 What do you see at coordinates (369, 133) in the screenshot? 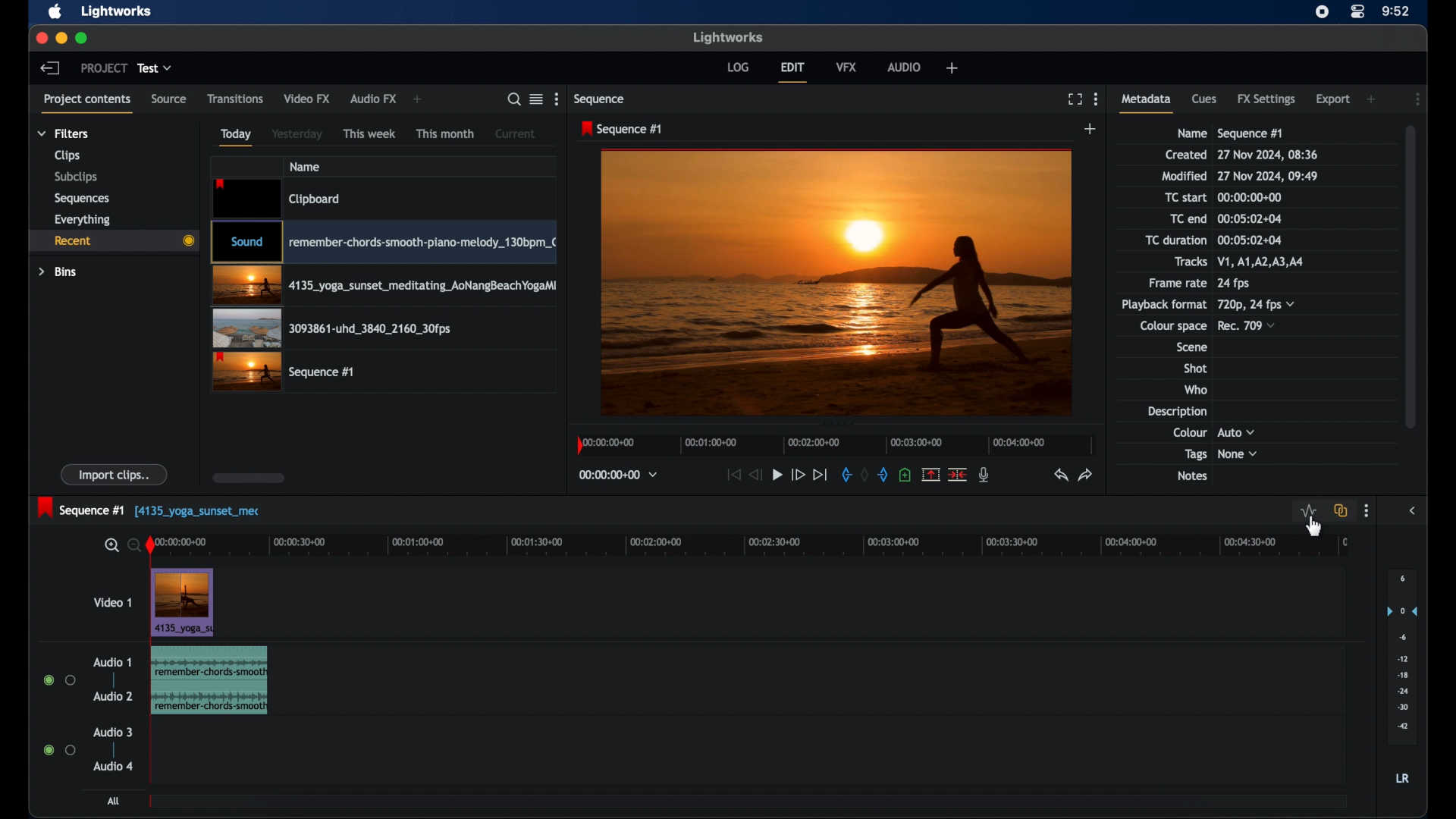
I see `this week` at bounding box center [369, 133].